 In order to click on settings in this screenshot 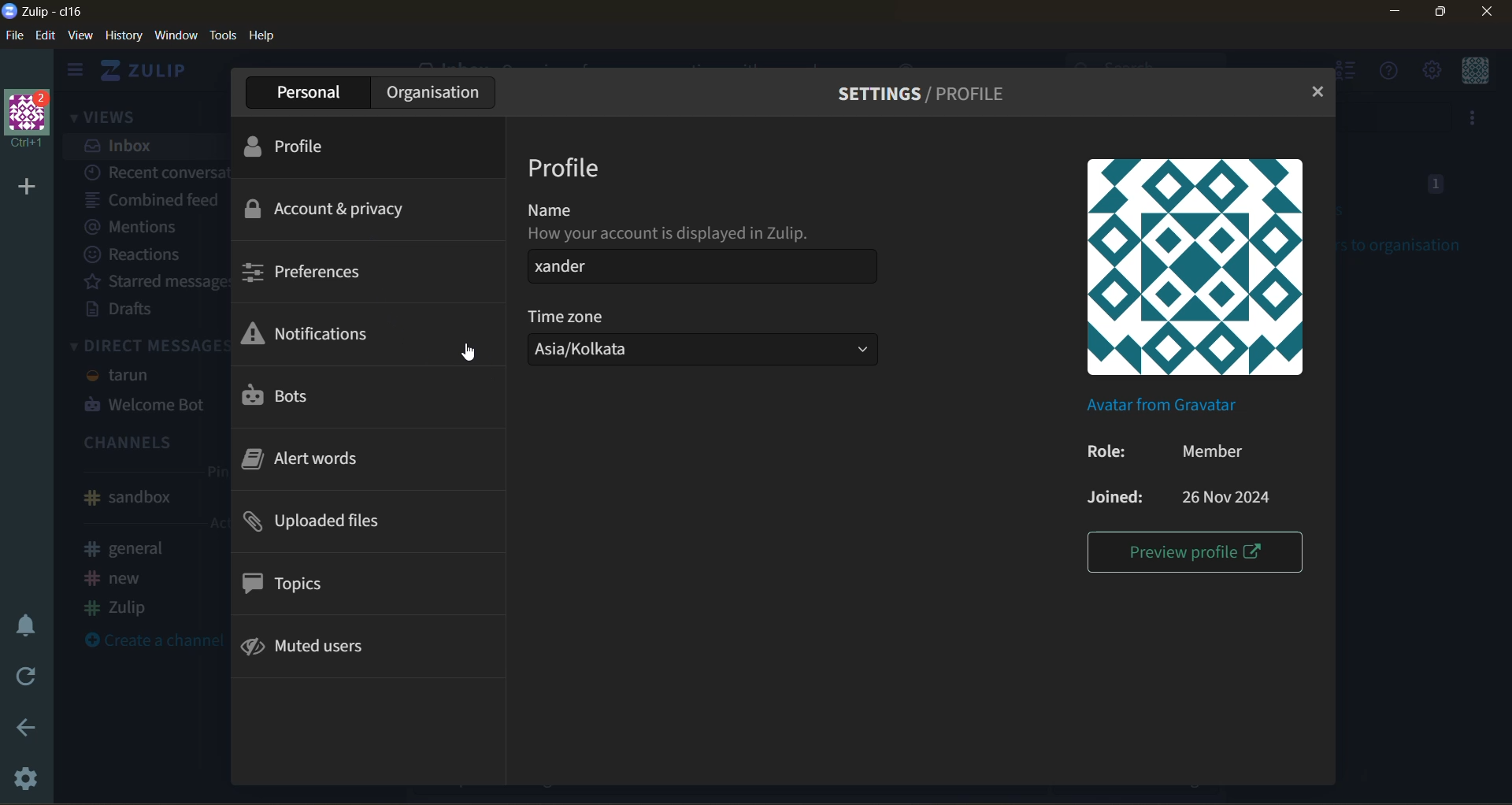, I will do `click(23, 782)`.